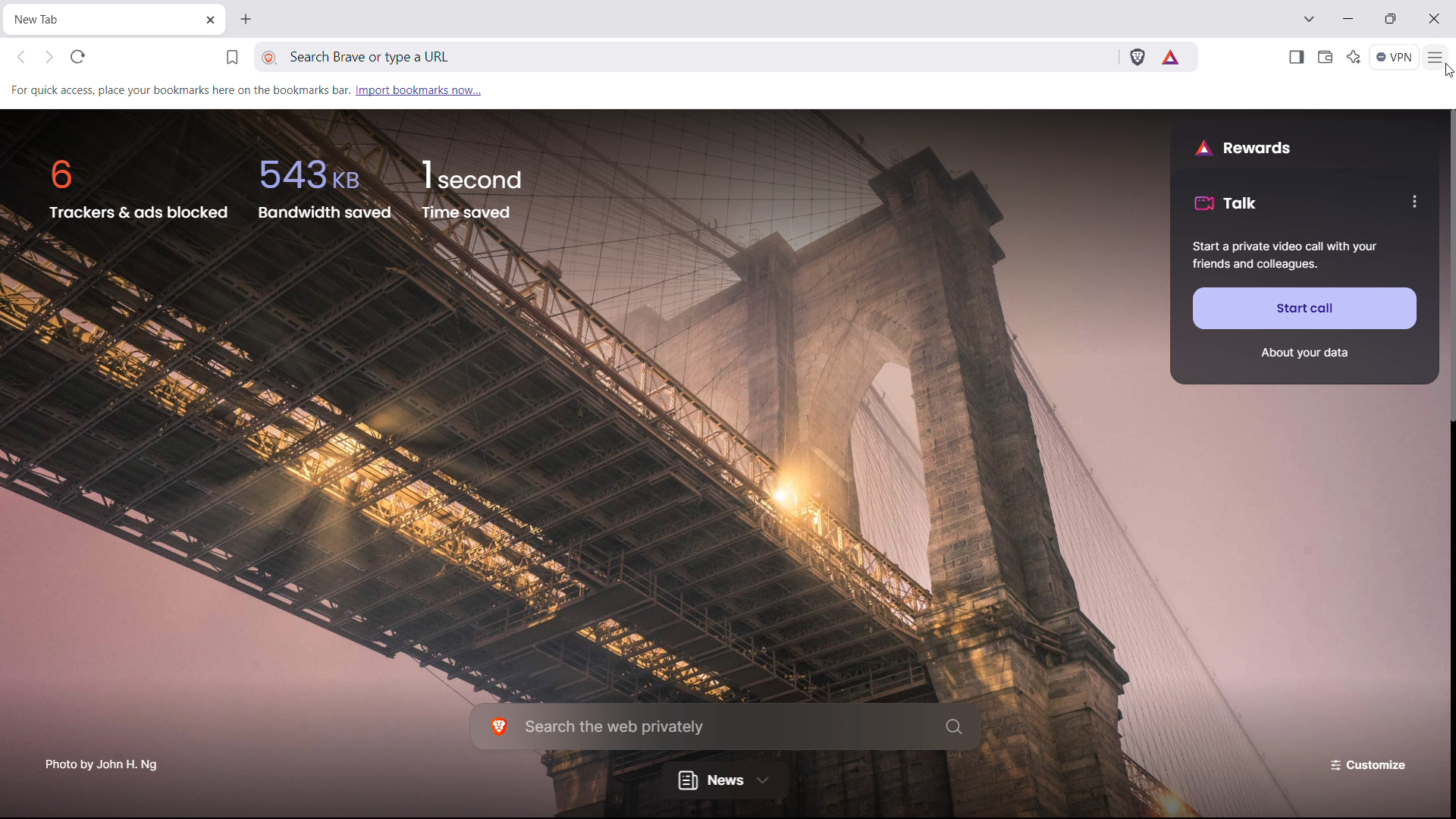 The width and height of the screenshot is (1456, 819). Describe the element at coordinates (725, 780) in the screenshot. I see `news` at that location.